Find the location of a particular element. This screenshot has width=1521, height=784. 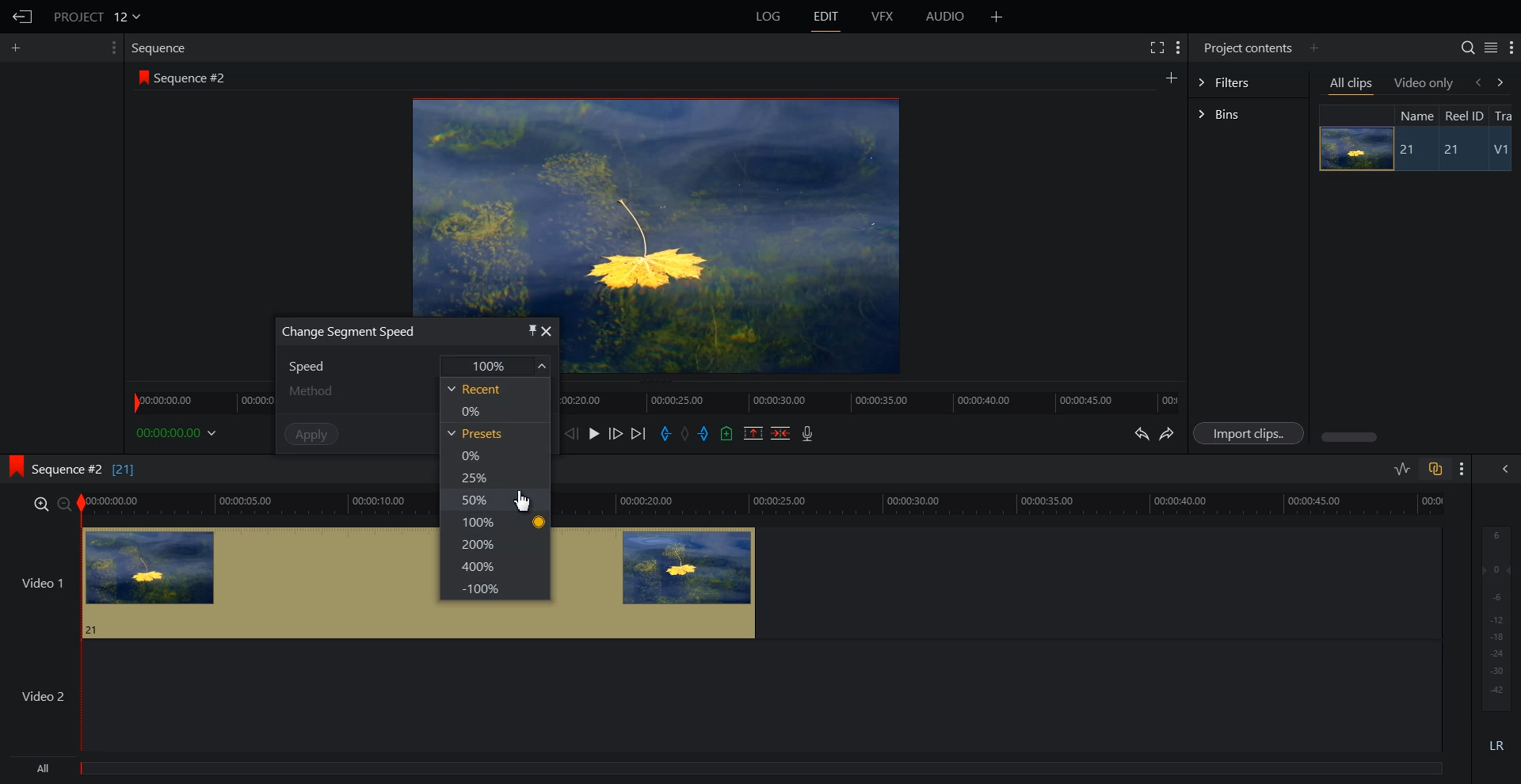

Image is located at coordinates (1351, 148).